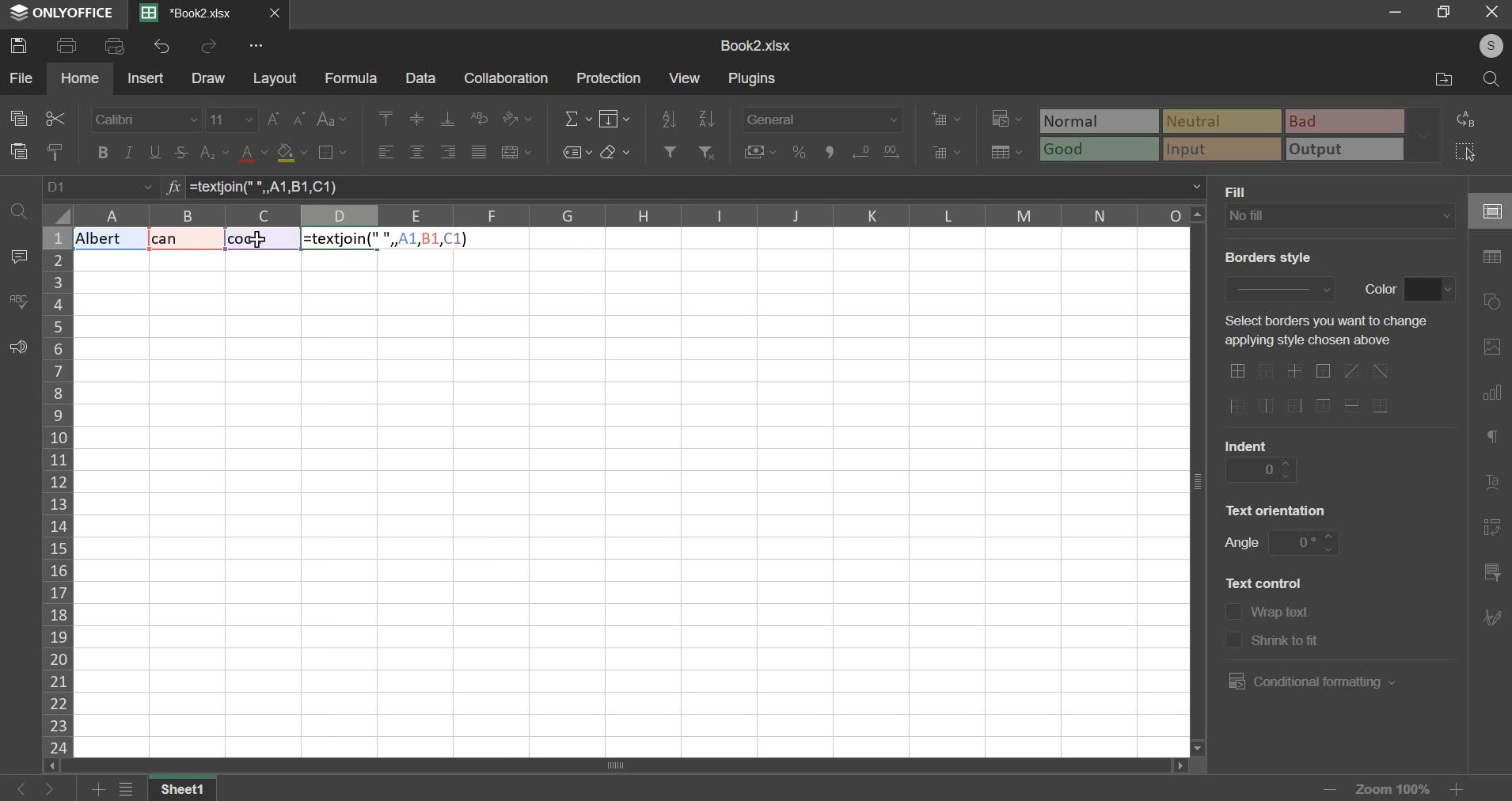  I want to click on text, so click(1283, 614).